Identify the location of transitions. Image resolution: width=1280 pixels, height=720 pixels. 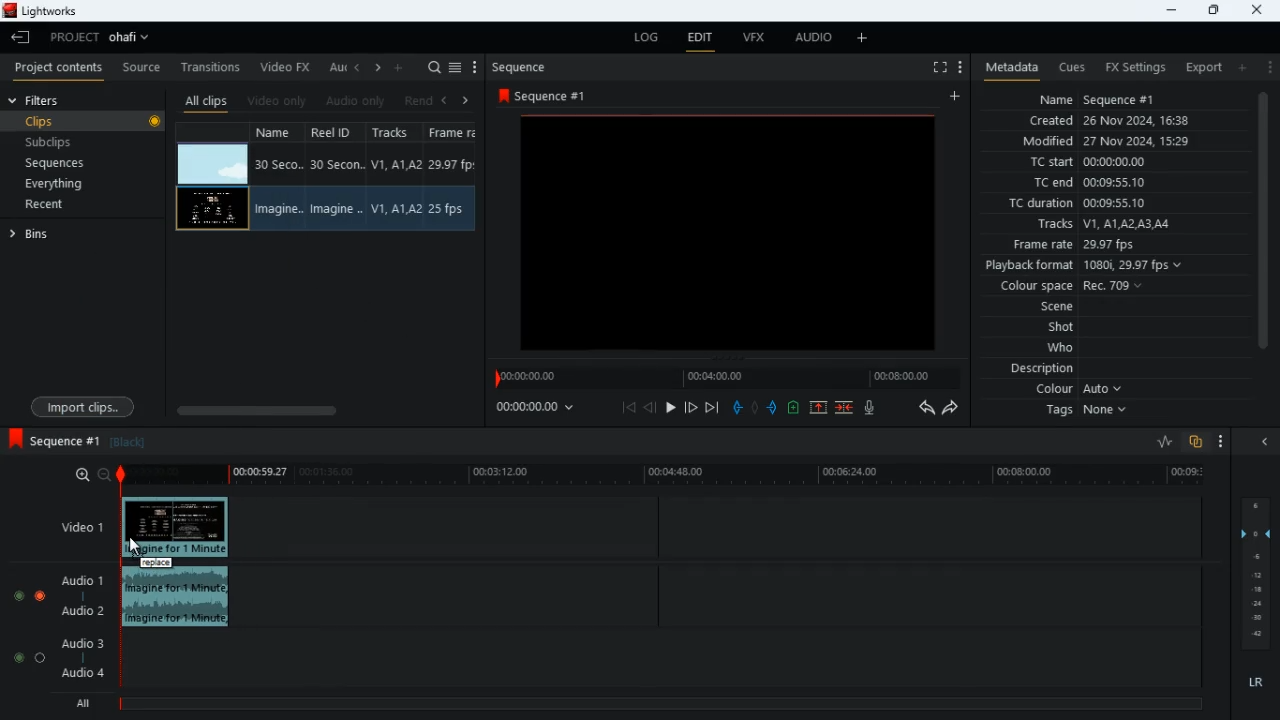
(212, 65).